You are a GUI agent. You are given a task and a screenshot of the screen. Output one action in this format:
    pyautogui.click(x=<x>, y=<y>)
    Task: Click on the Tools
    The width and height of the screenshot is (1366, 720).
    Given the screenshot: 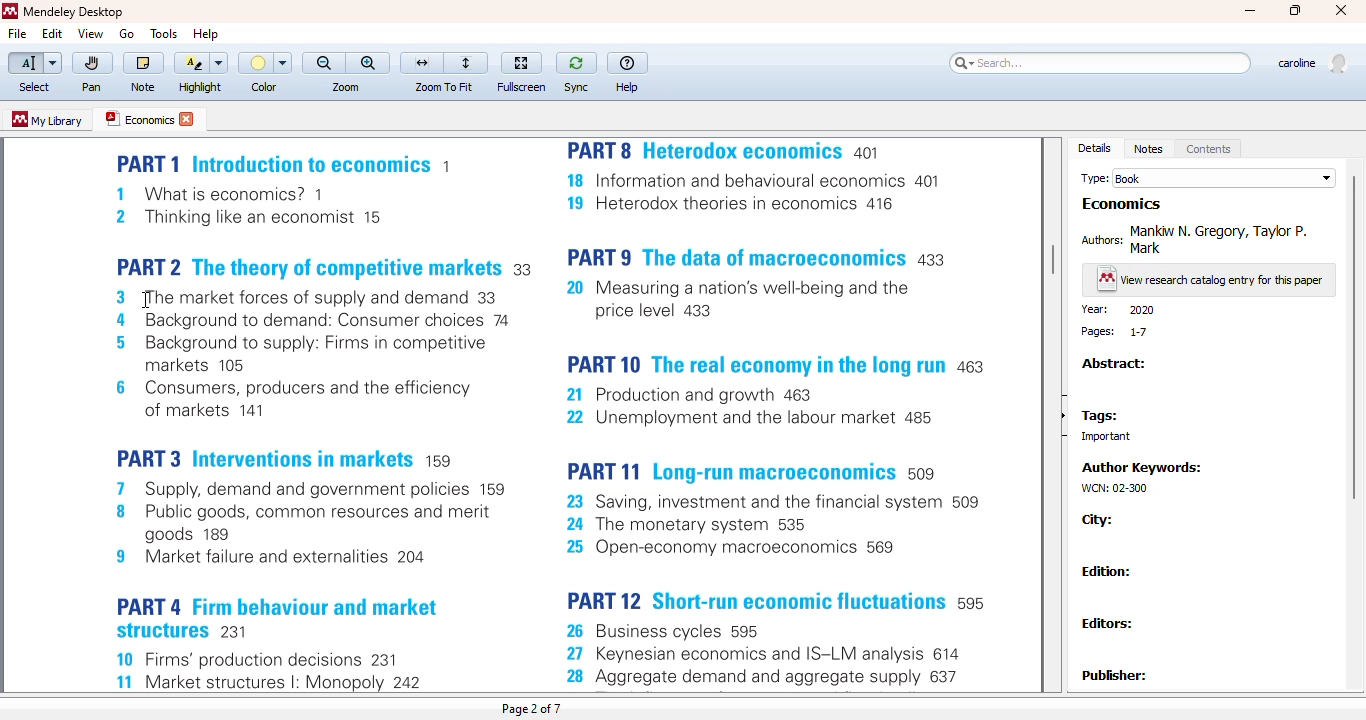 What is the action you would take?
    pyautogui.click(x=164, y=33)
    